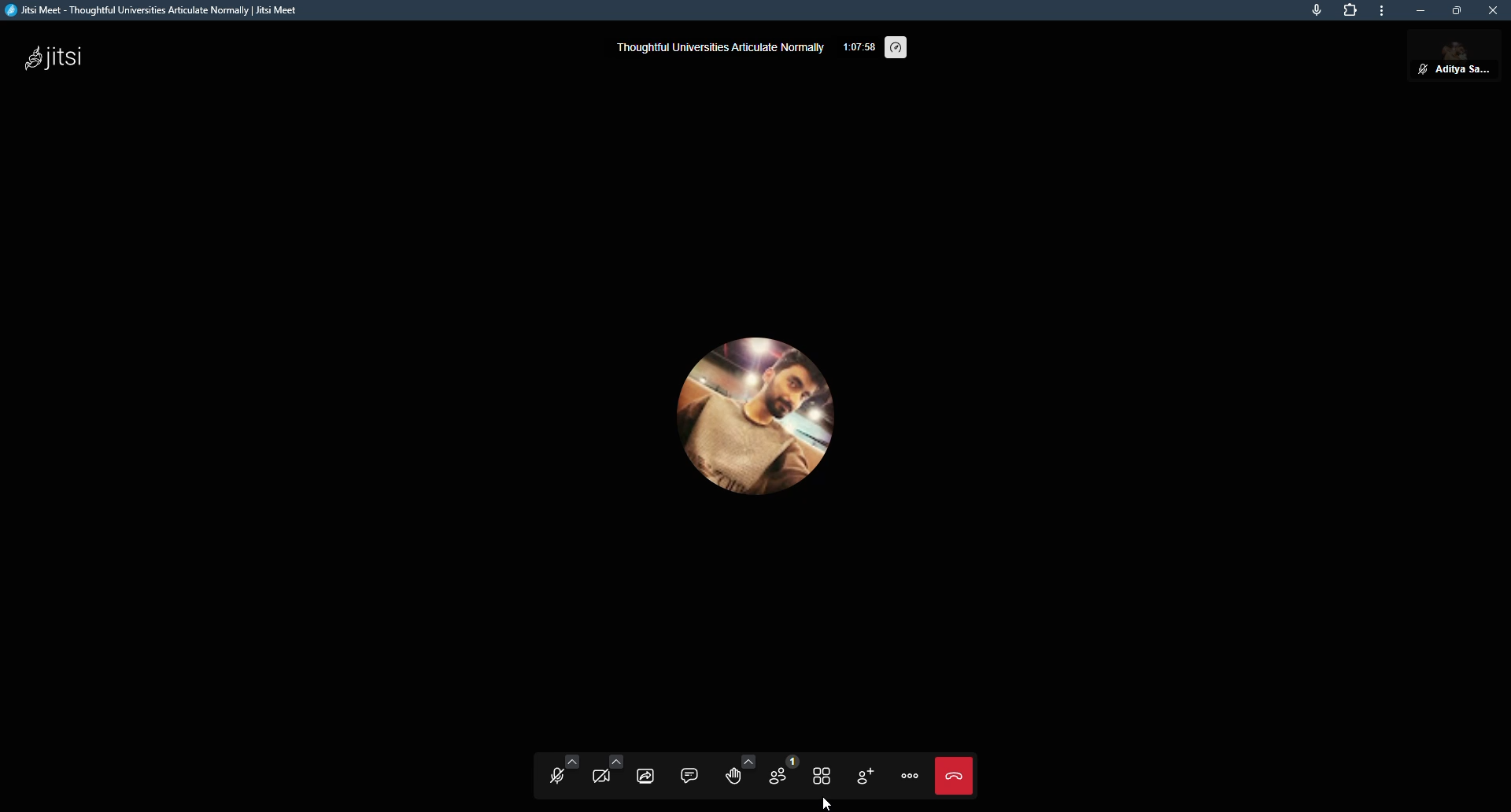  Describe the element at coordinates (601, 777) in the screenshot. I see `start camera` at that location.